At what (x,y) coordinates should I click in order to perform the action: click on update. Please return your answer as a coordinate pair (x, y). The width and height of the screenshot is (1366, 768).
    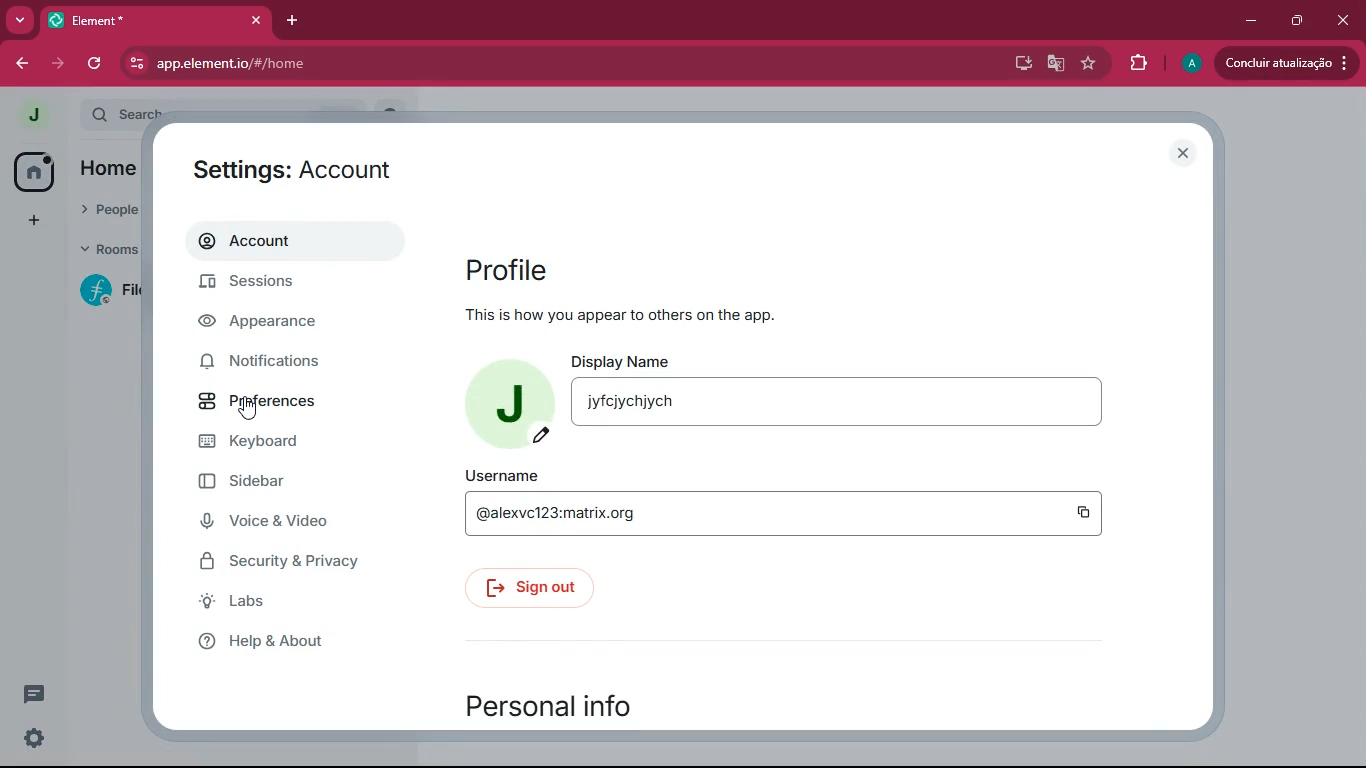
    Looking at the image, I should click on (1283, 63).